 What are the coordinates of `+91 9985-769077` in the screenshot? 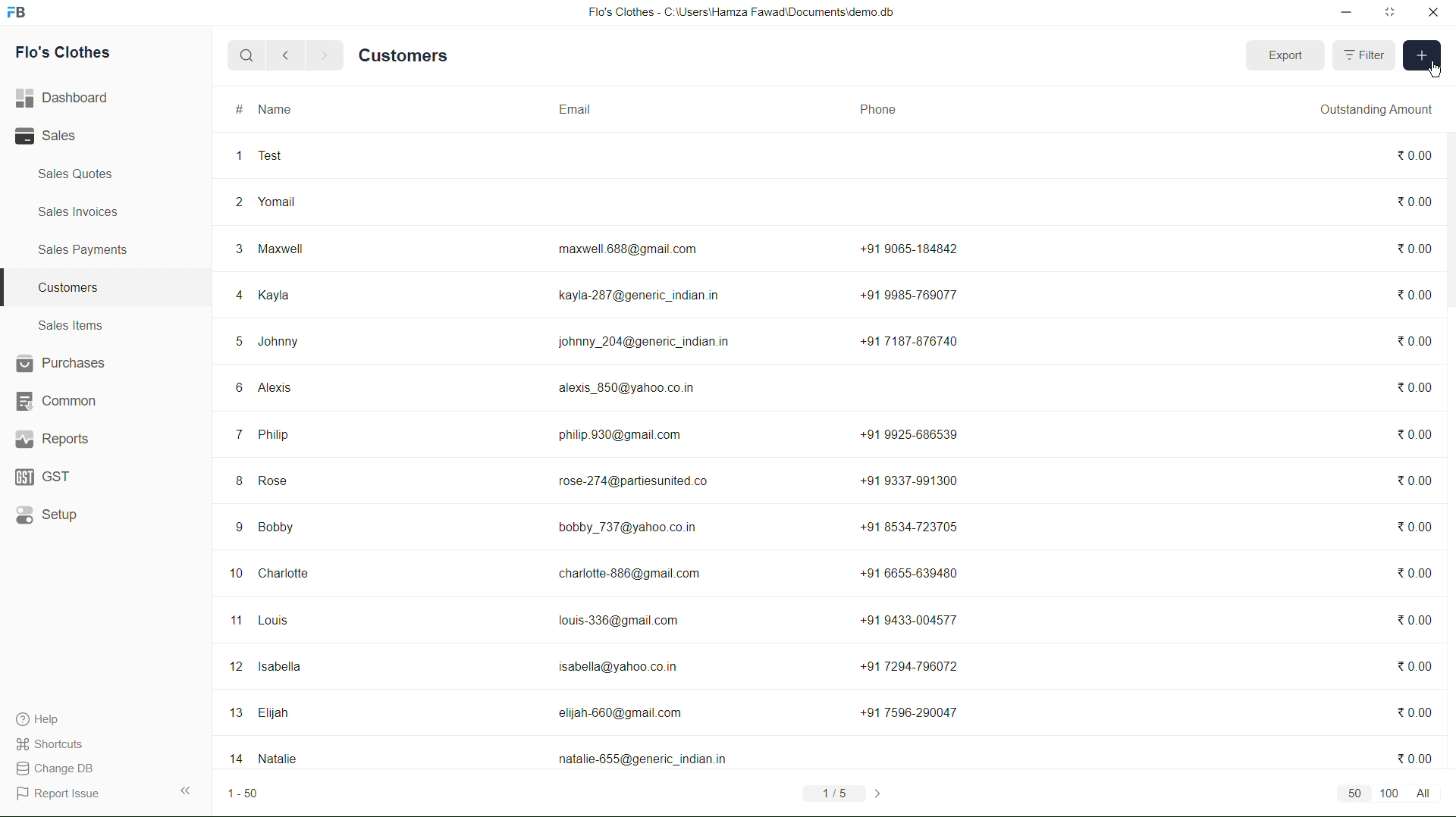 It's located at (909, 295).